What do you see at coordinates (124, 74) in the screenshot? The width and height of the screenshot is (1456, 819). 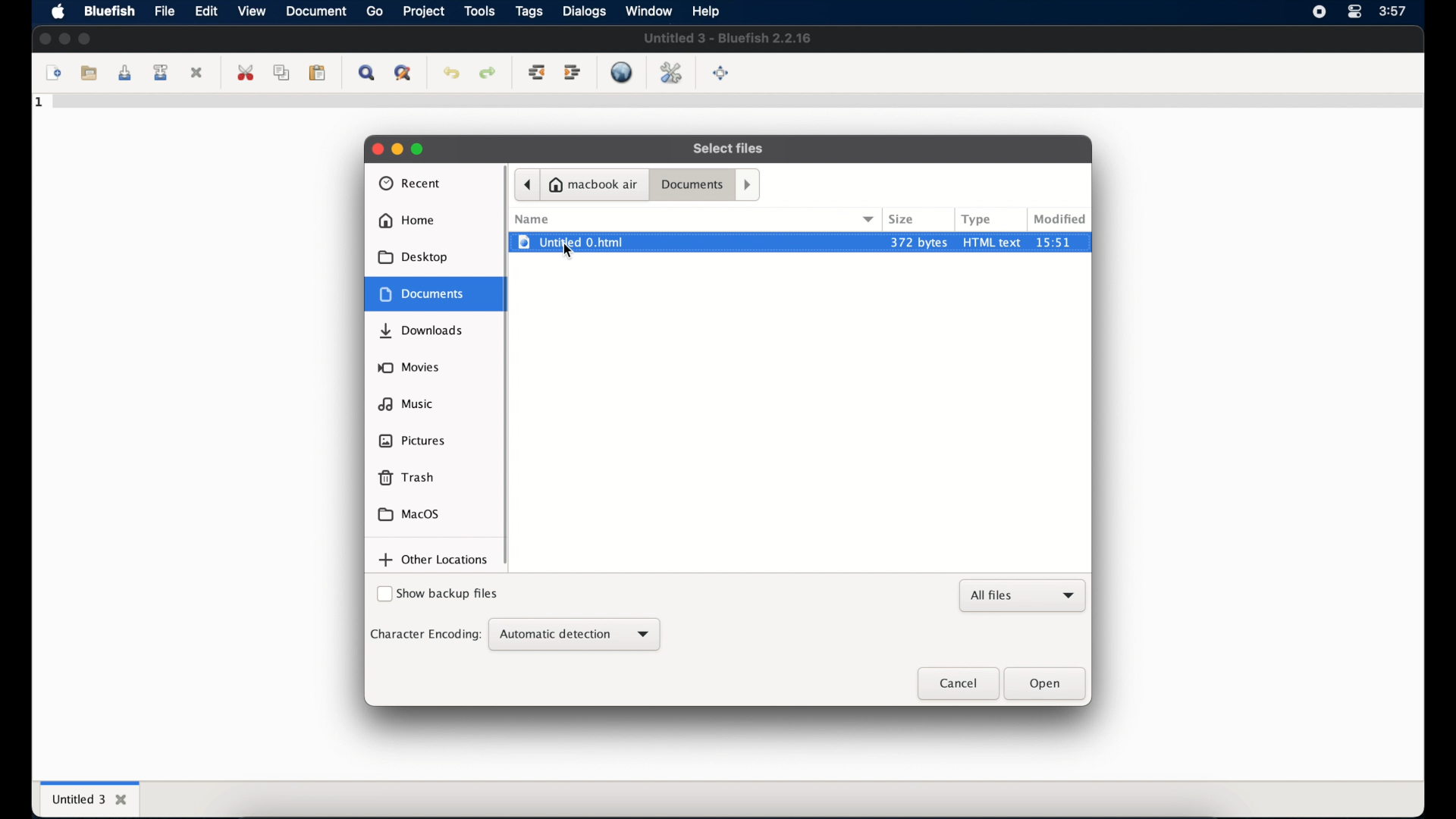 I see `save current file` at bounding box center [124, 74].